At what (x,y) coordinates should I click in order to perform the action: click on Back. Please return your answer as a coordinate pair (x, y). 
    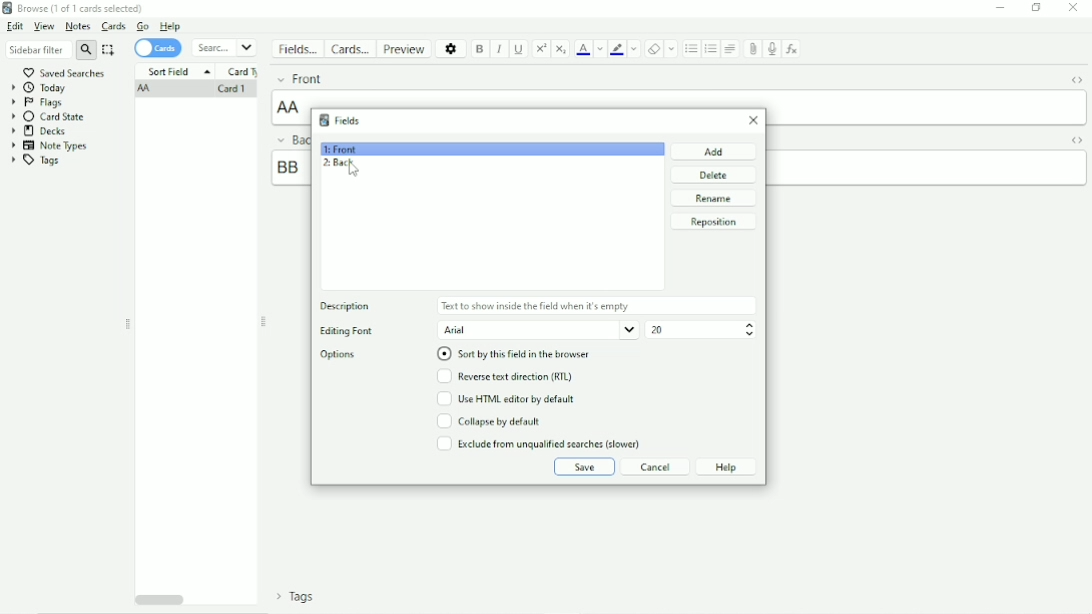
    Looking at the image, I should click on (289, 139).